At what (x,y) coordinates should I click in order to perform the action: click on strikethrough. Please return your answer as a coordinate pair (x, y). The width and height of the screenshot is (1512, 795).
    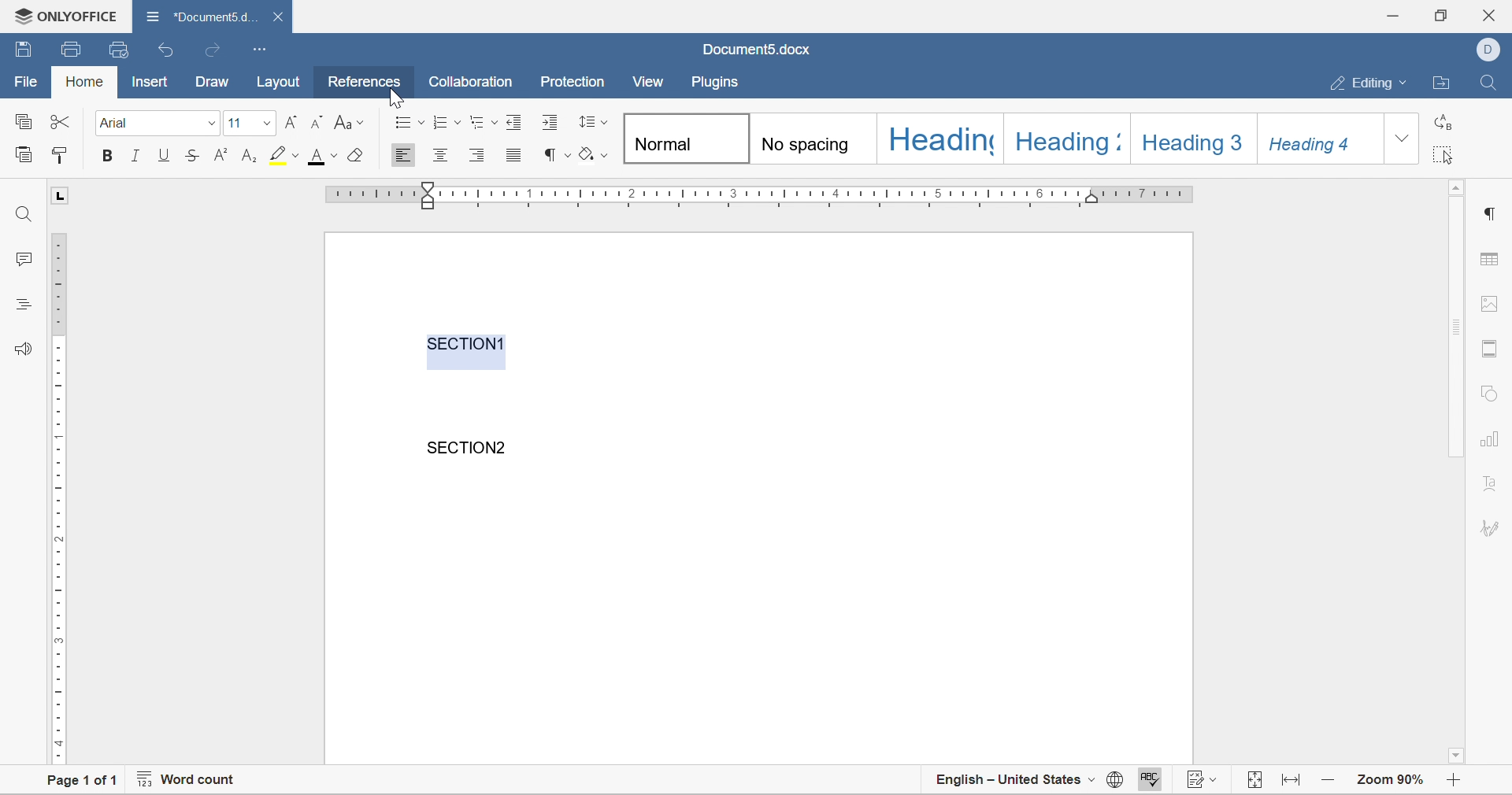
    Looking at the image, I should click on (192, 155).